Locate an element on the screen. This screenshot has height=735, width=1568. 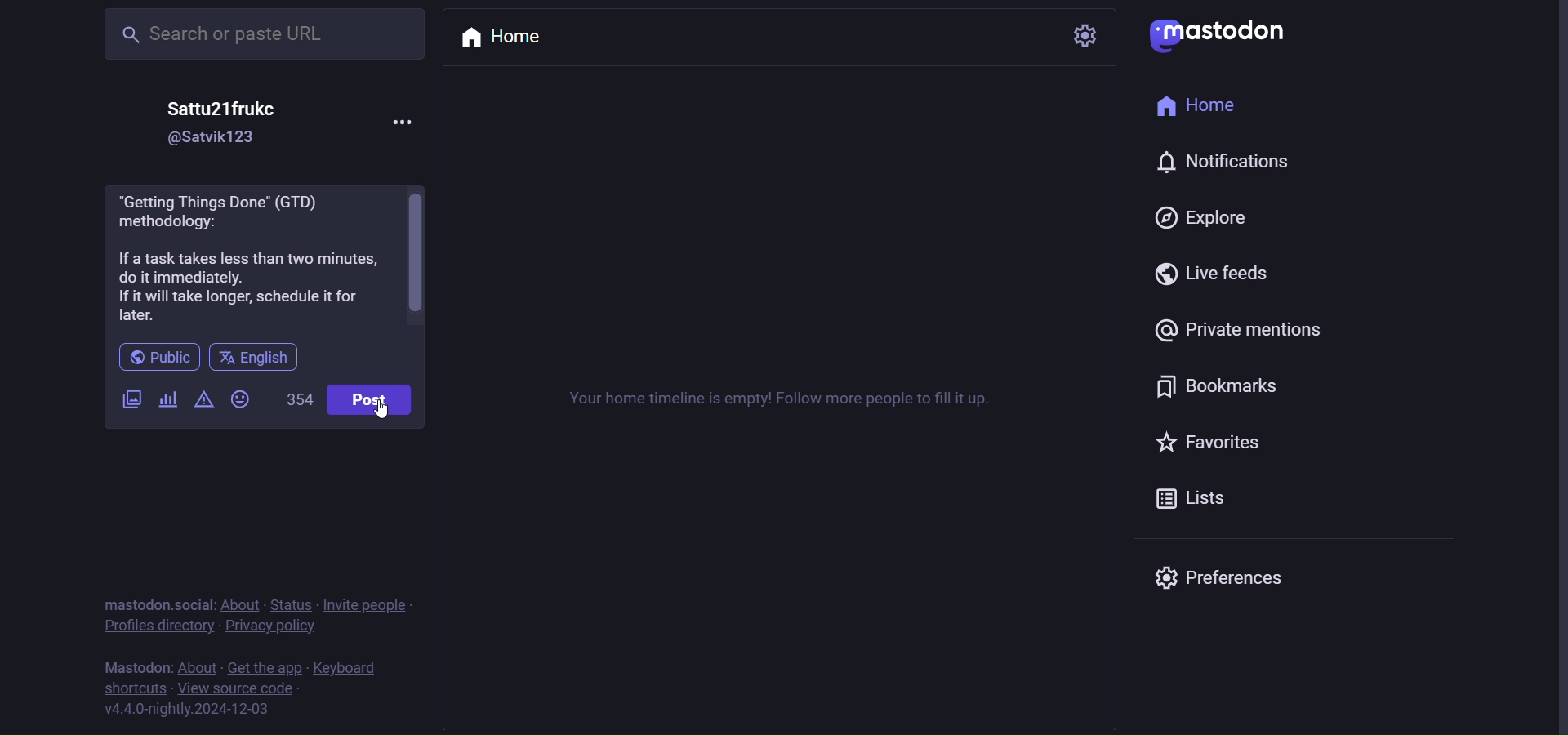
lists is located at coordinates (1187, 497).